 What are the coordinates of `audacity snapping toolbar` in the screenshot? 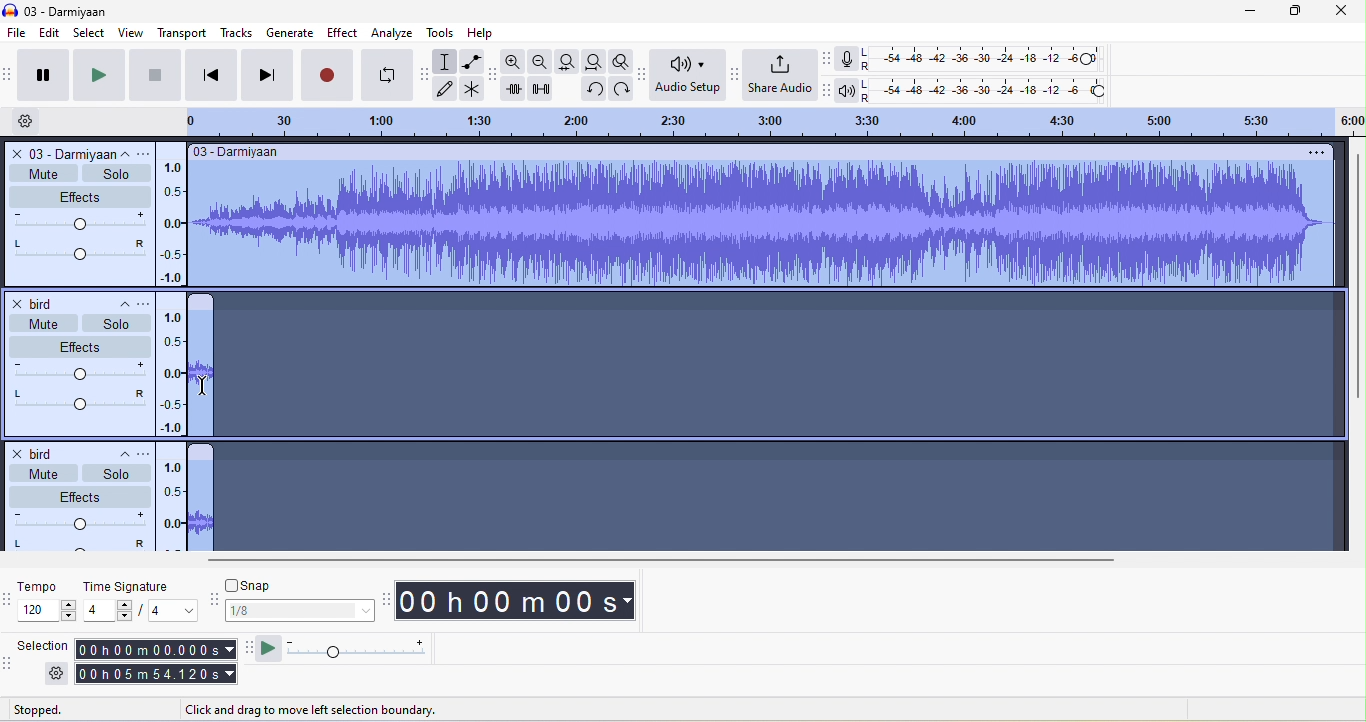 It's located at (210, 600).